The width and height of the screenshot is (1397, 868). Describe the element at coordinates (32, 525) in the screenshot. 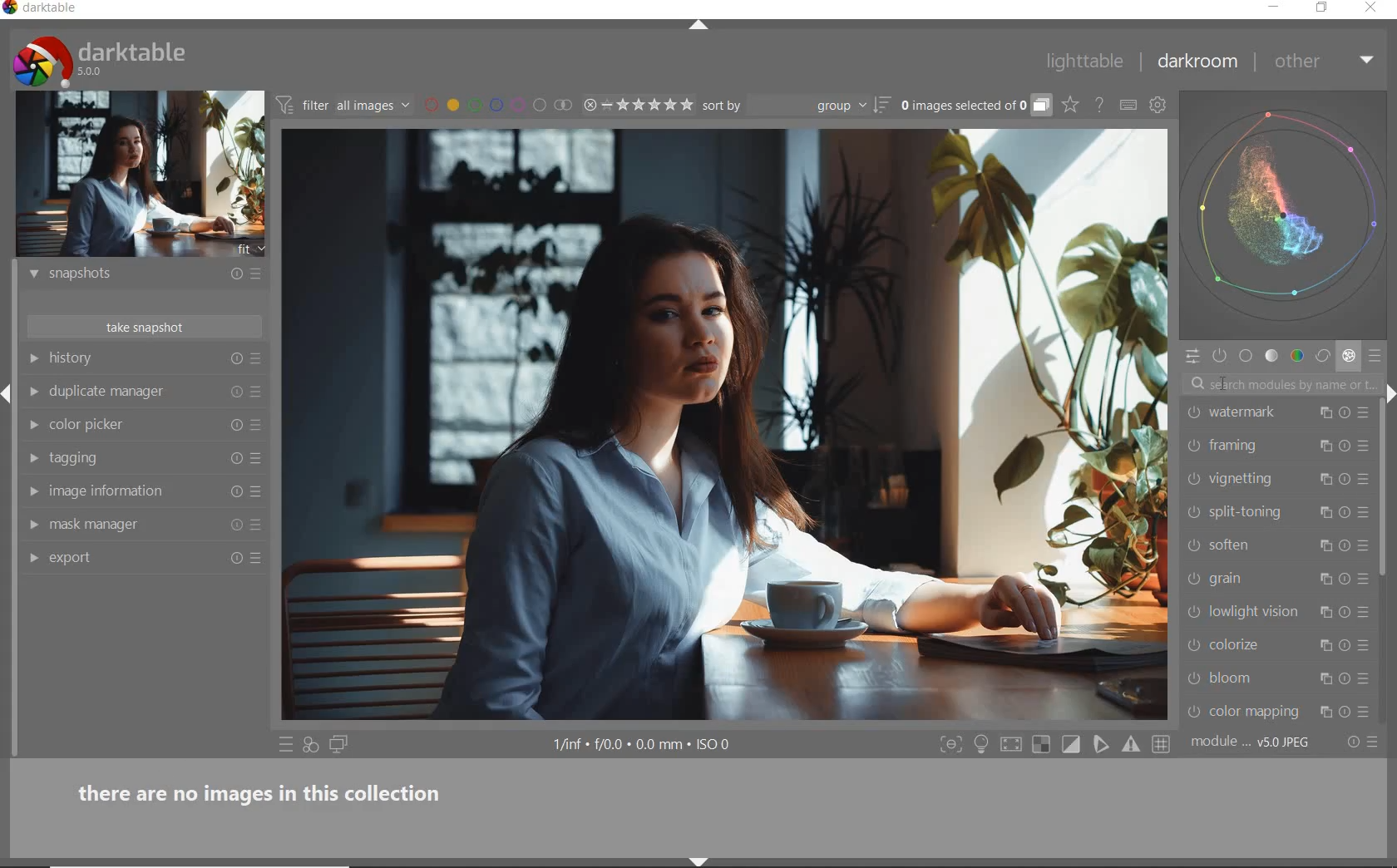

I see `show module` at that location.